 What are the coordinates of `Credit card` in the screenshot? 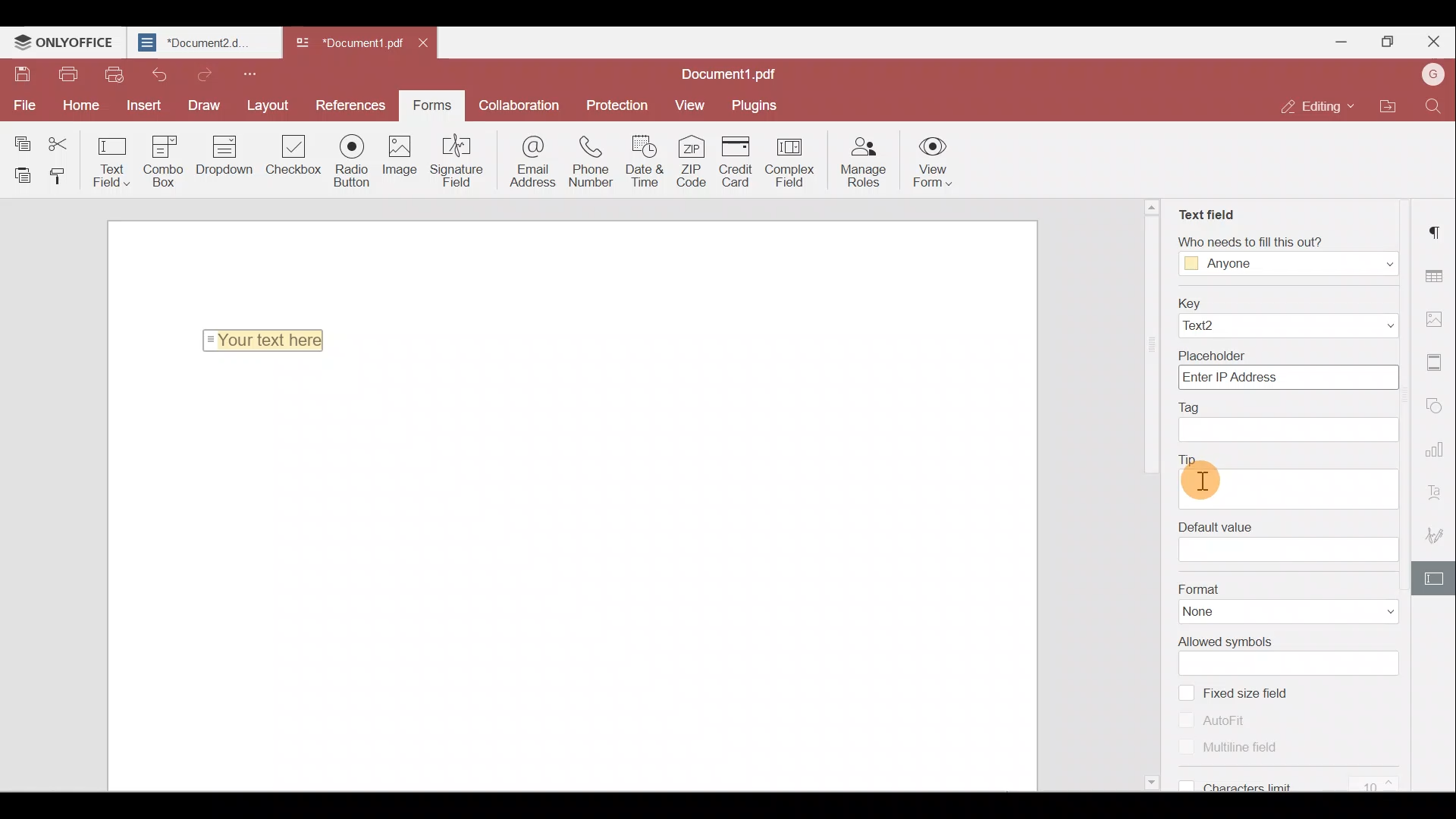 It's located at (737, 161).